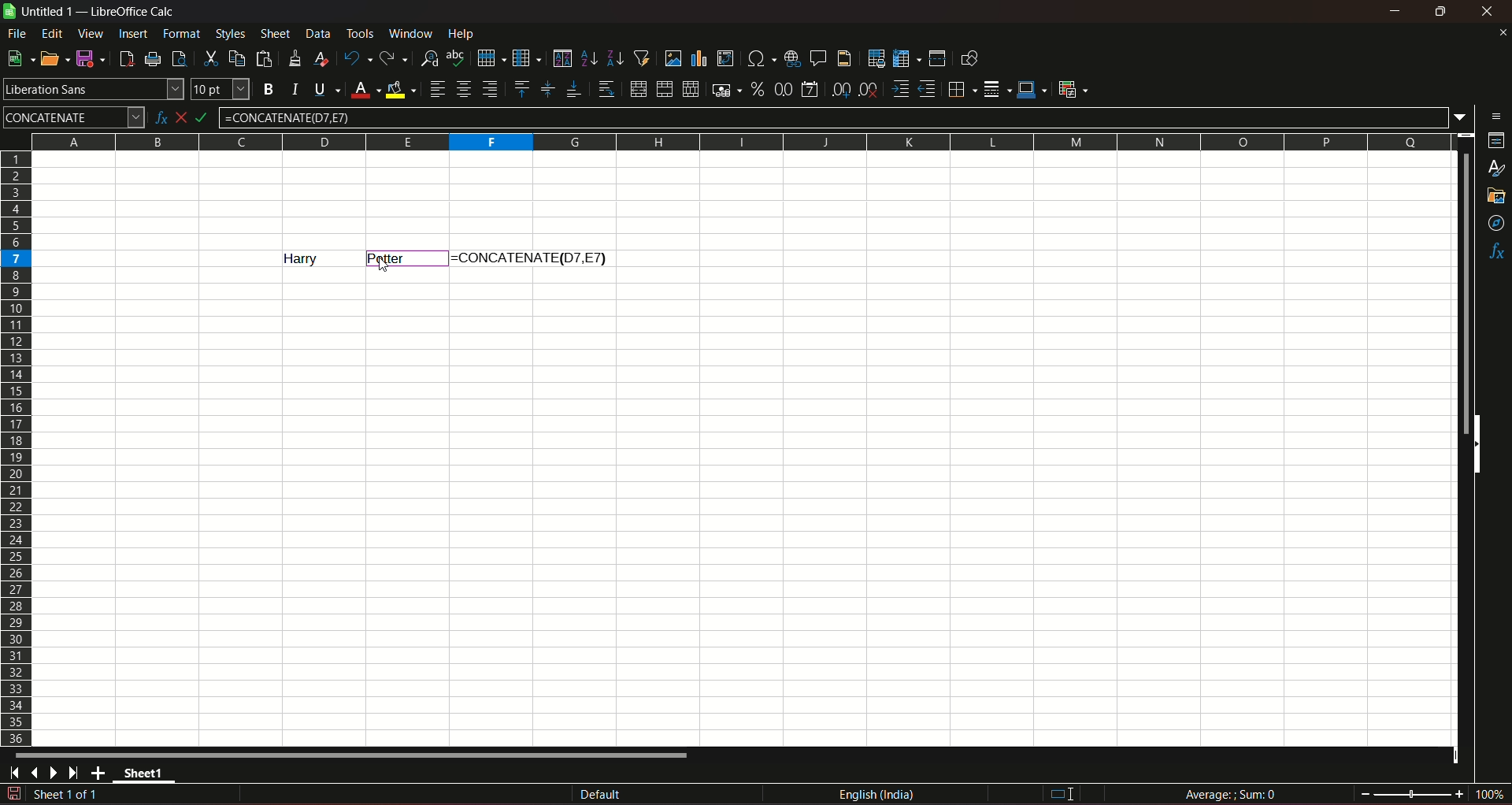  Describe the element at coordinates (1496, 253) in the screenshot. I see `functions` at that location.